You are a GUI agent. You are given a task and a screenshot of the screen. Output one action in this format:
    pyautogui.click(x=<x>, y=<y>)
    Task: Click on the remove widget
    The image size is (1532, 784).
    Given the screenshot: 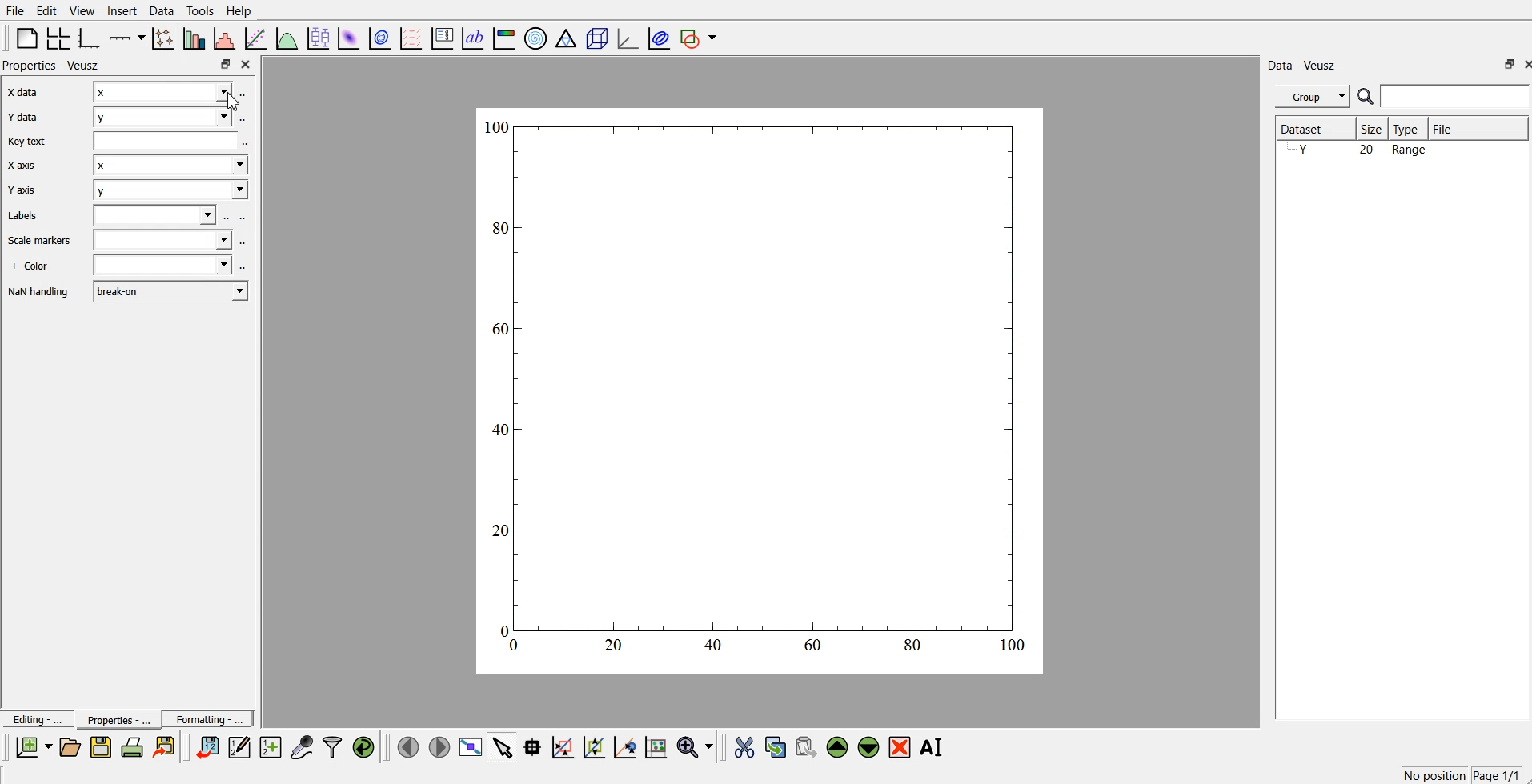 What is the action you would take?
    pyautogui.click(x=900, y=746)
    